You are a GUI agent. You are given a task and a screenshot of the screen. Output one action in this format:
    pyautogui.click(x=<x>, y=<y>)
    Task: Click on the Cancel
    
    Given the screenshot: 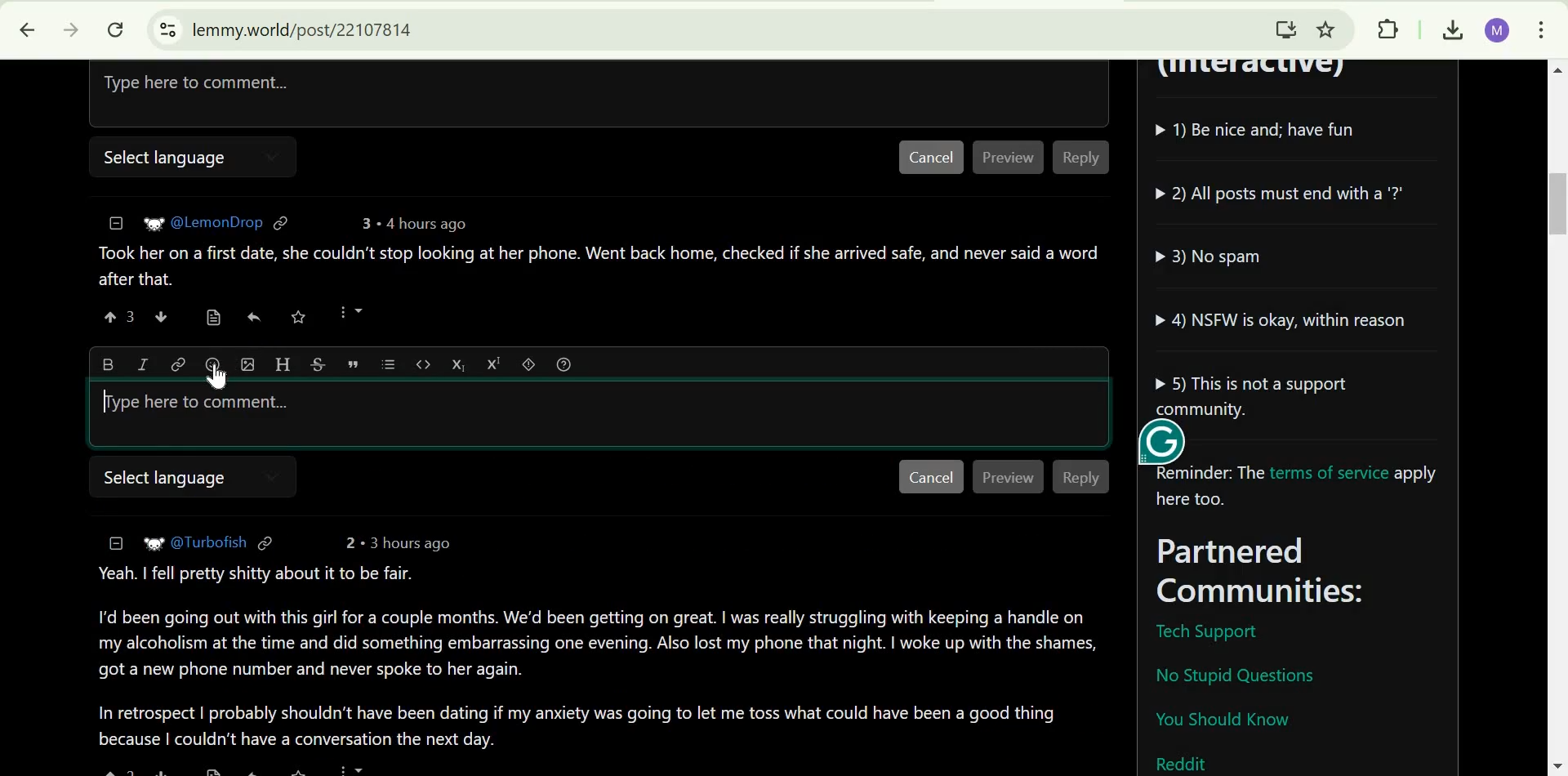 What is the action you would take?
    pyautogui.click(x=930, y=158)
    